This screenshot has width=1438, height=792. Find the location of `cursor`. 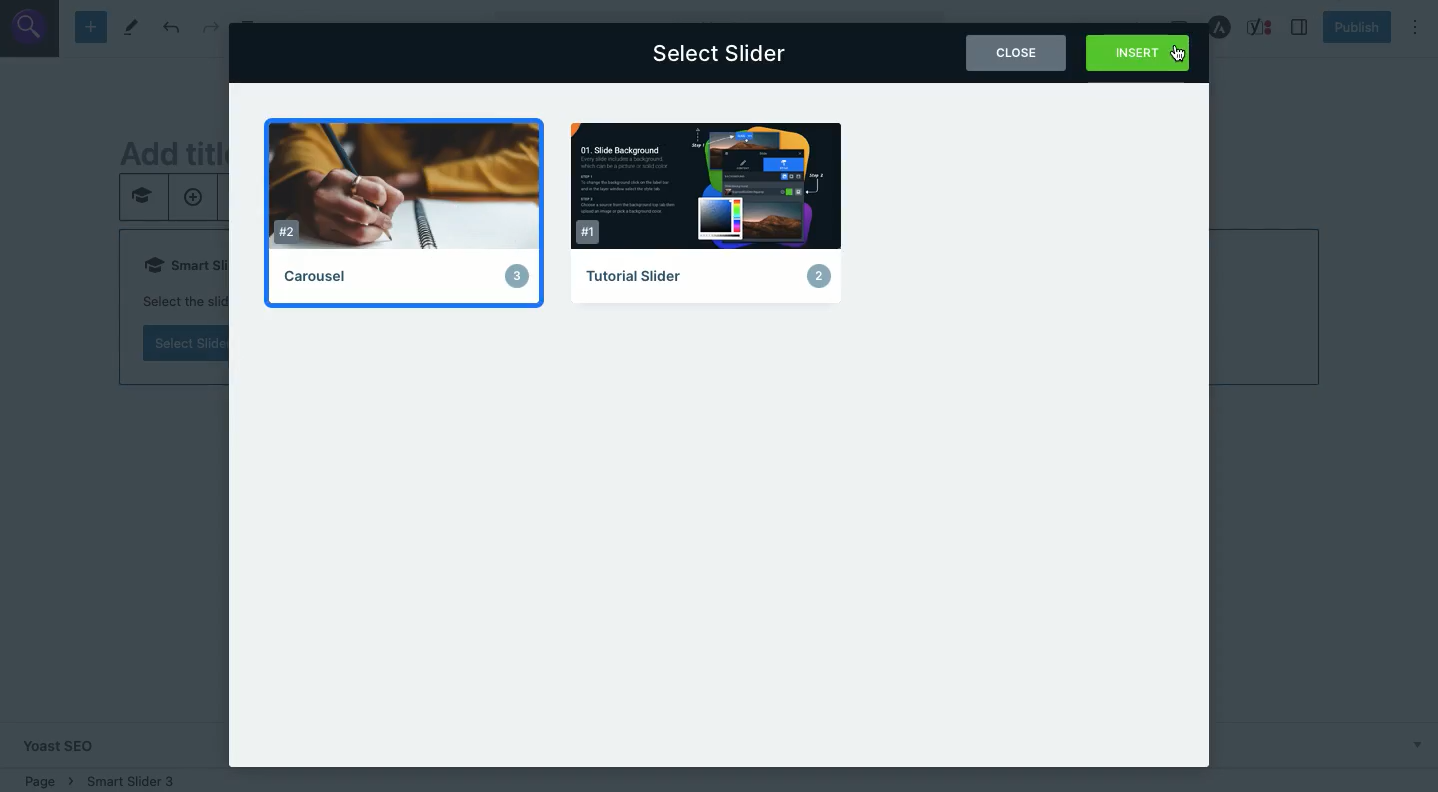

cursor is located at coordinates (1176, 58).